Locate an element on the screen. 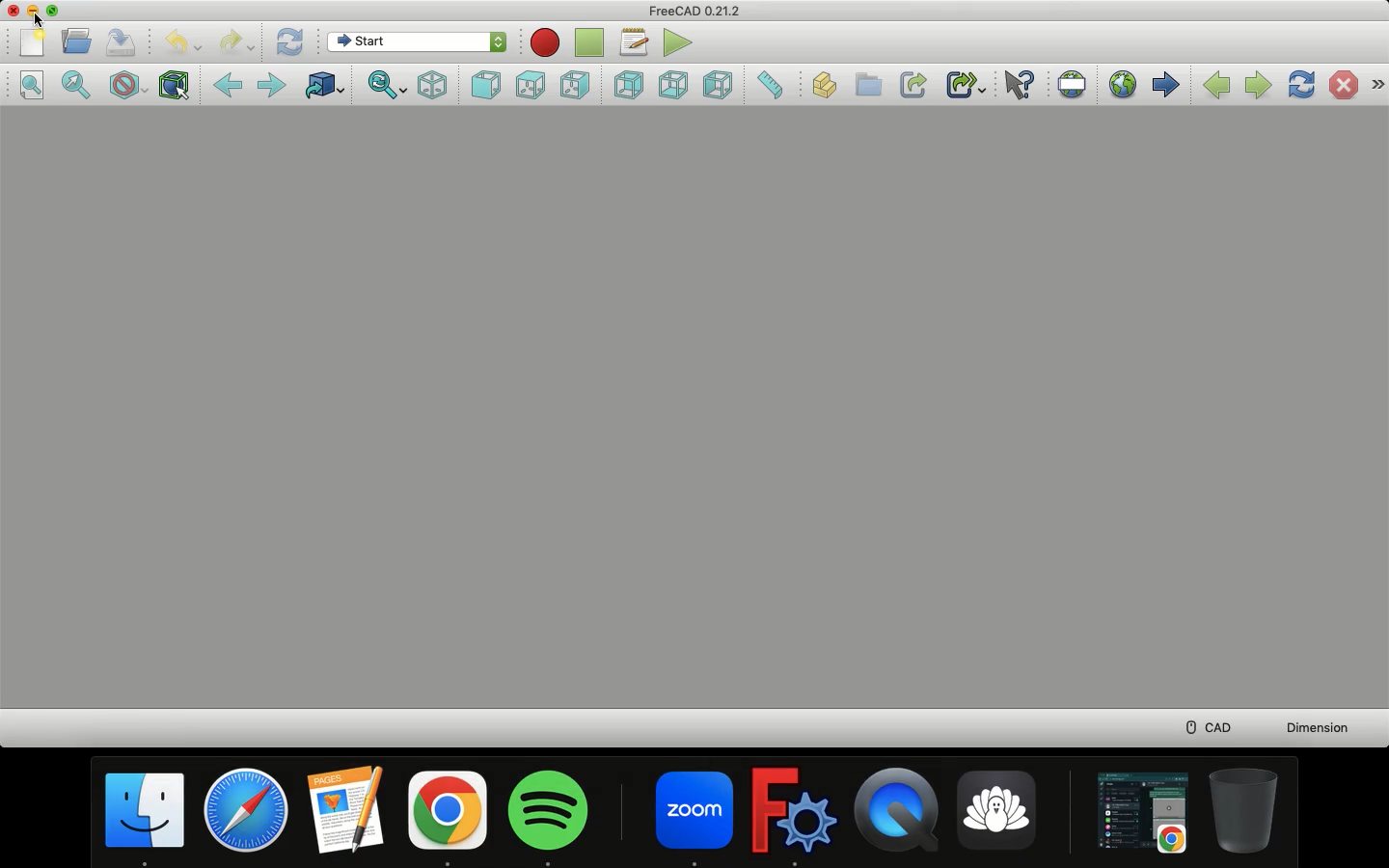 The image size is (1389, 868). Create group is located at coordinates (867, 86).